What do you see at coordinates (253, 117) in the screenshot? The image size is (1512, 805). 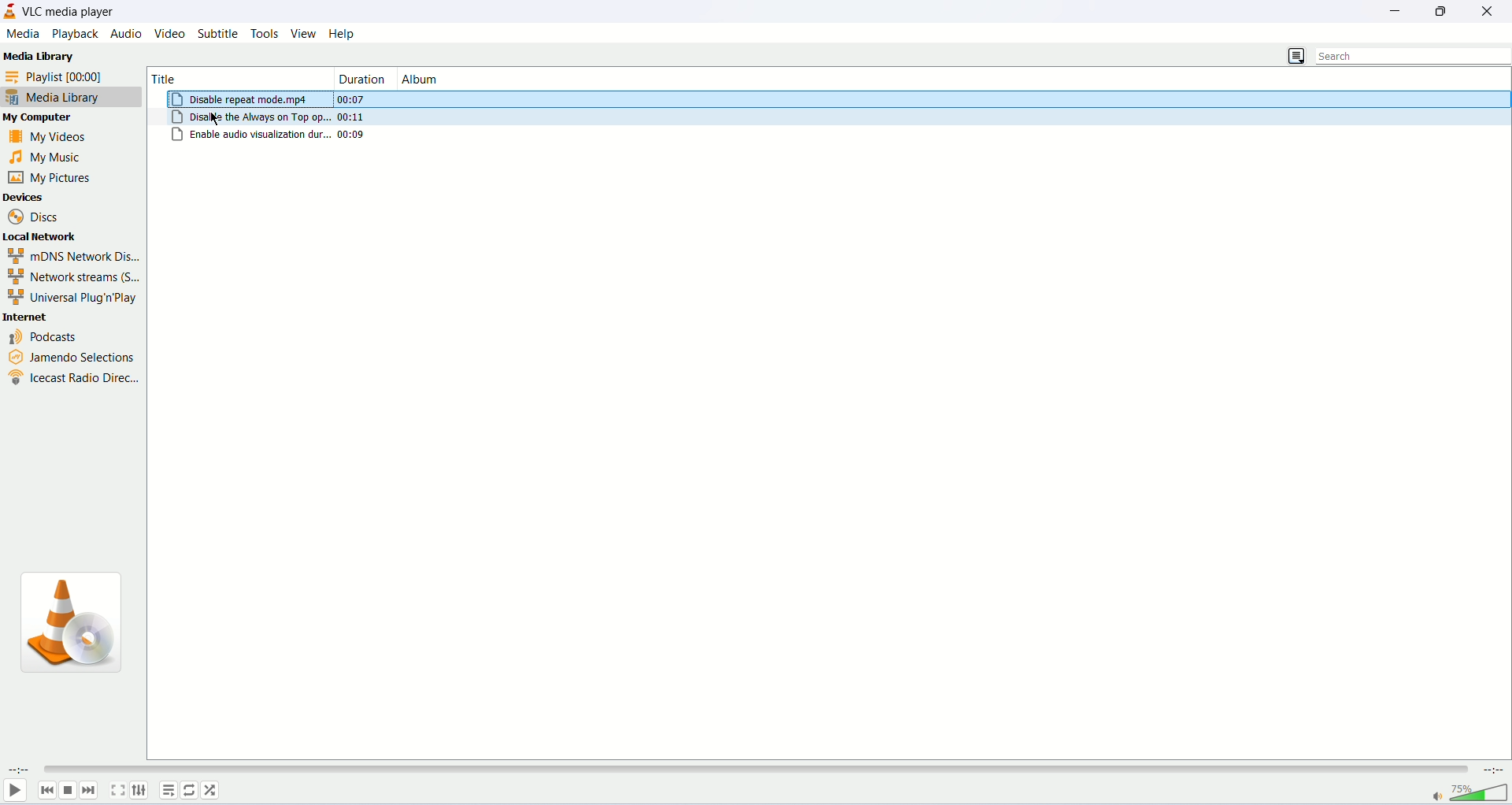 I see `Disable the always on top op..` at bounding box center [253, 117].